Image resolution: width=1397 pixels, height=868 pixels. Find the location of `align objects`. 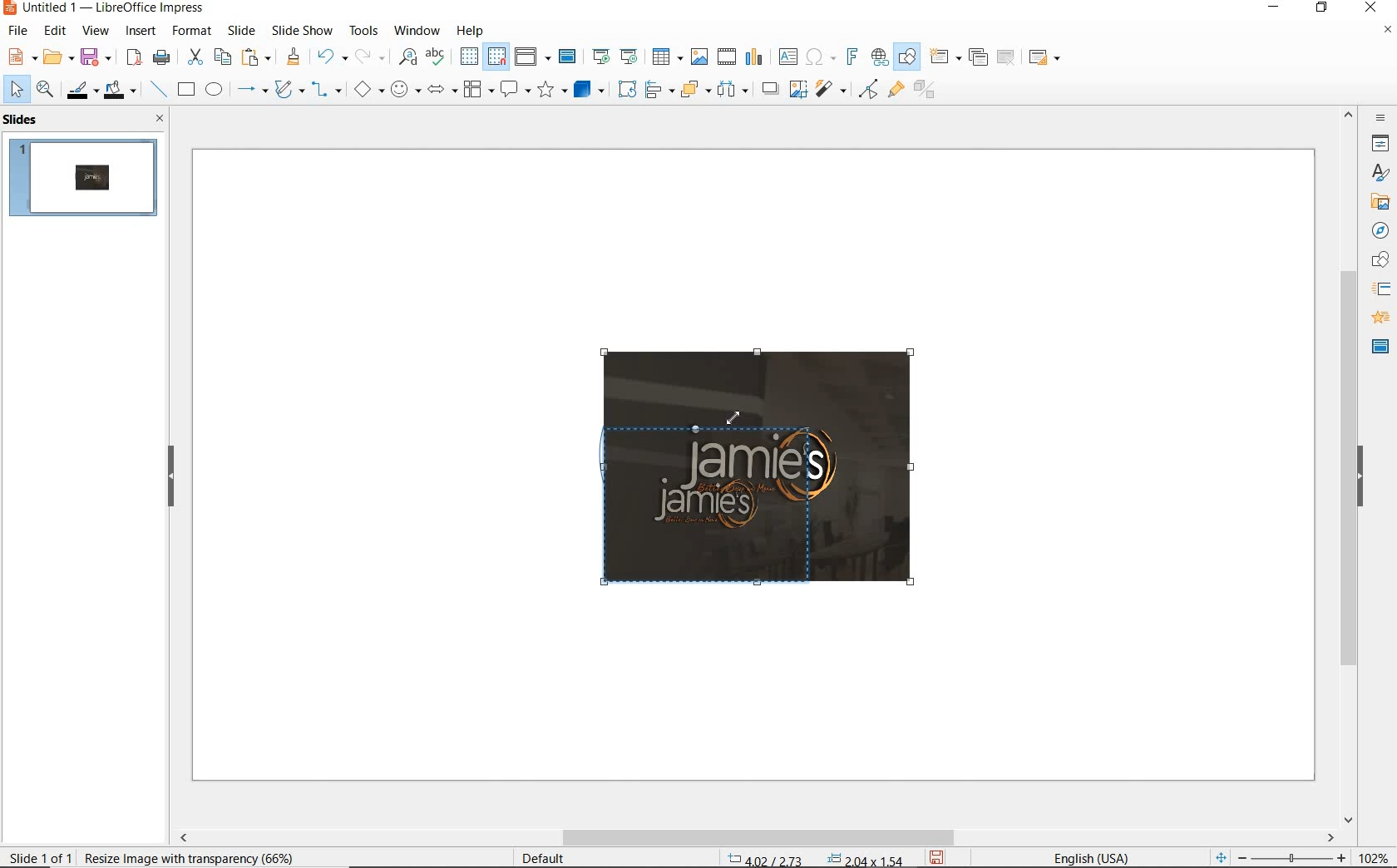

align objects is located at coordinates (655, 88).